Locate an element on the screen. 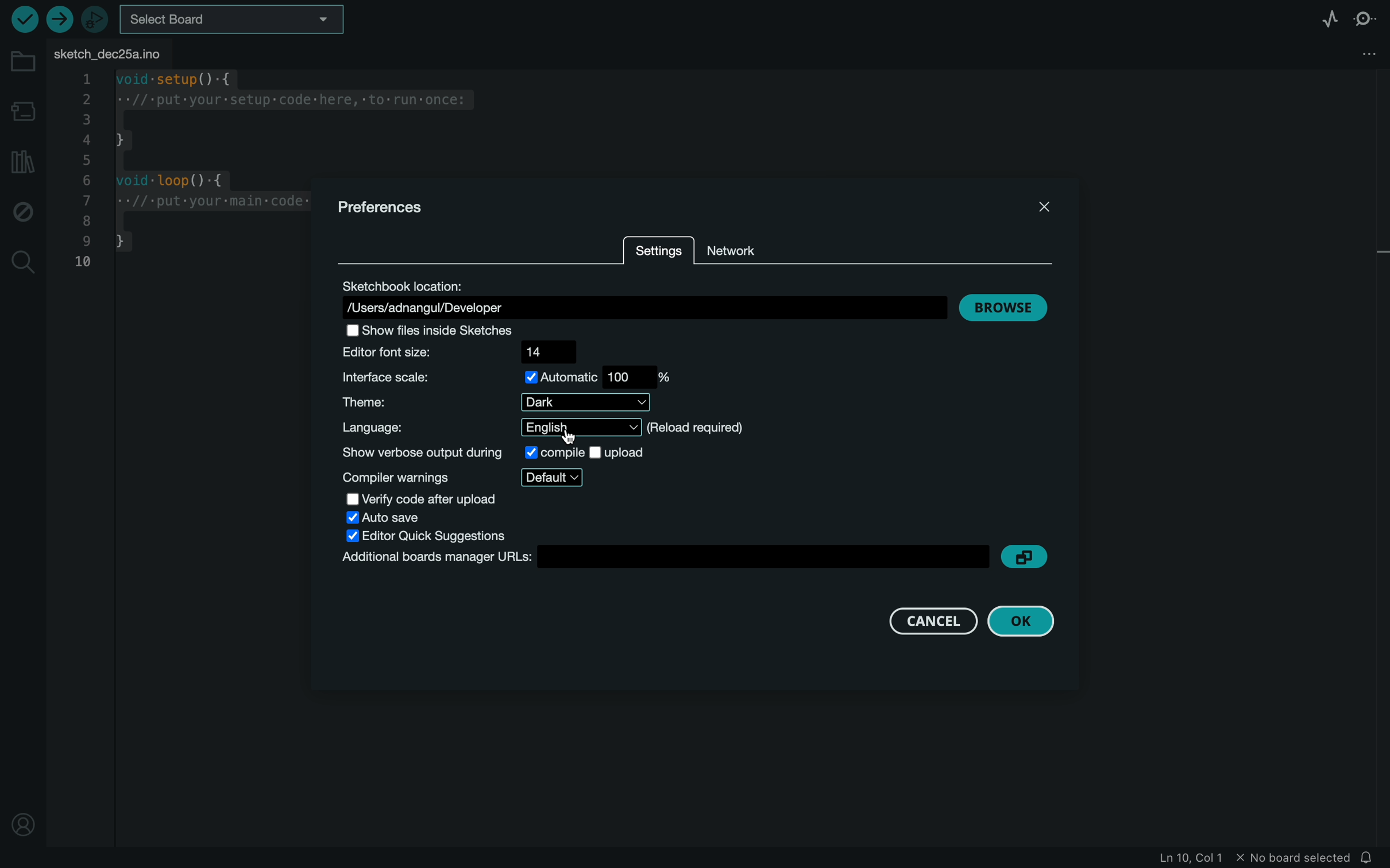 This screenshot has width=1390, height=868. compiler is located at coordinates (462, 478).